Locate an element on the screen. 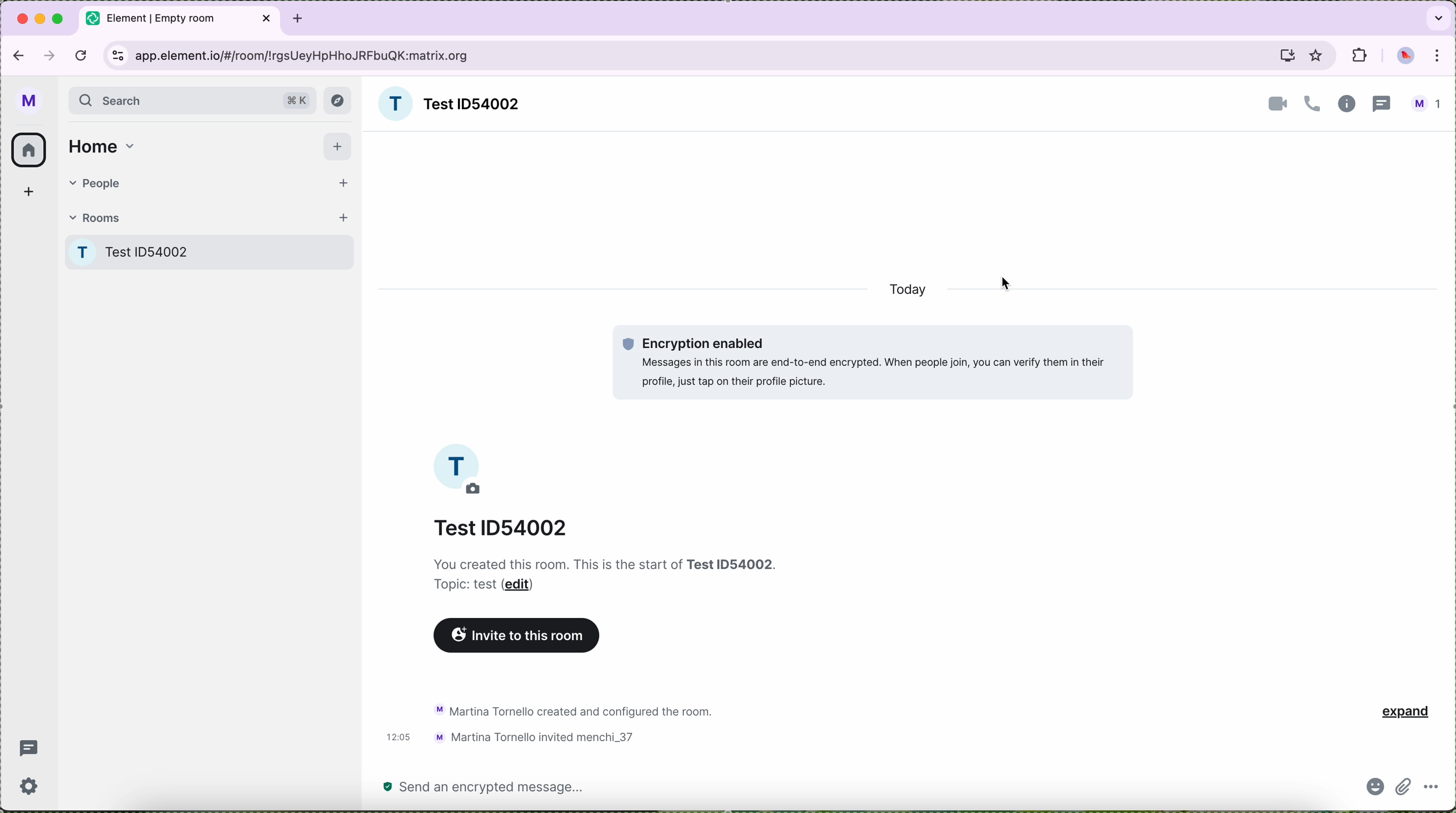 The height and width of the screenshot is (813, 1456). cursor is located at coordinates (1004, 283).